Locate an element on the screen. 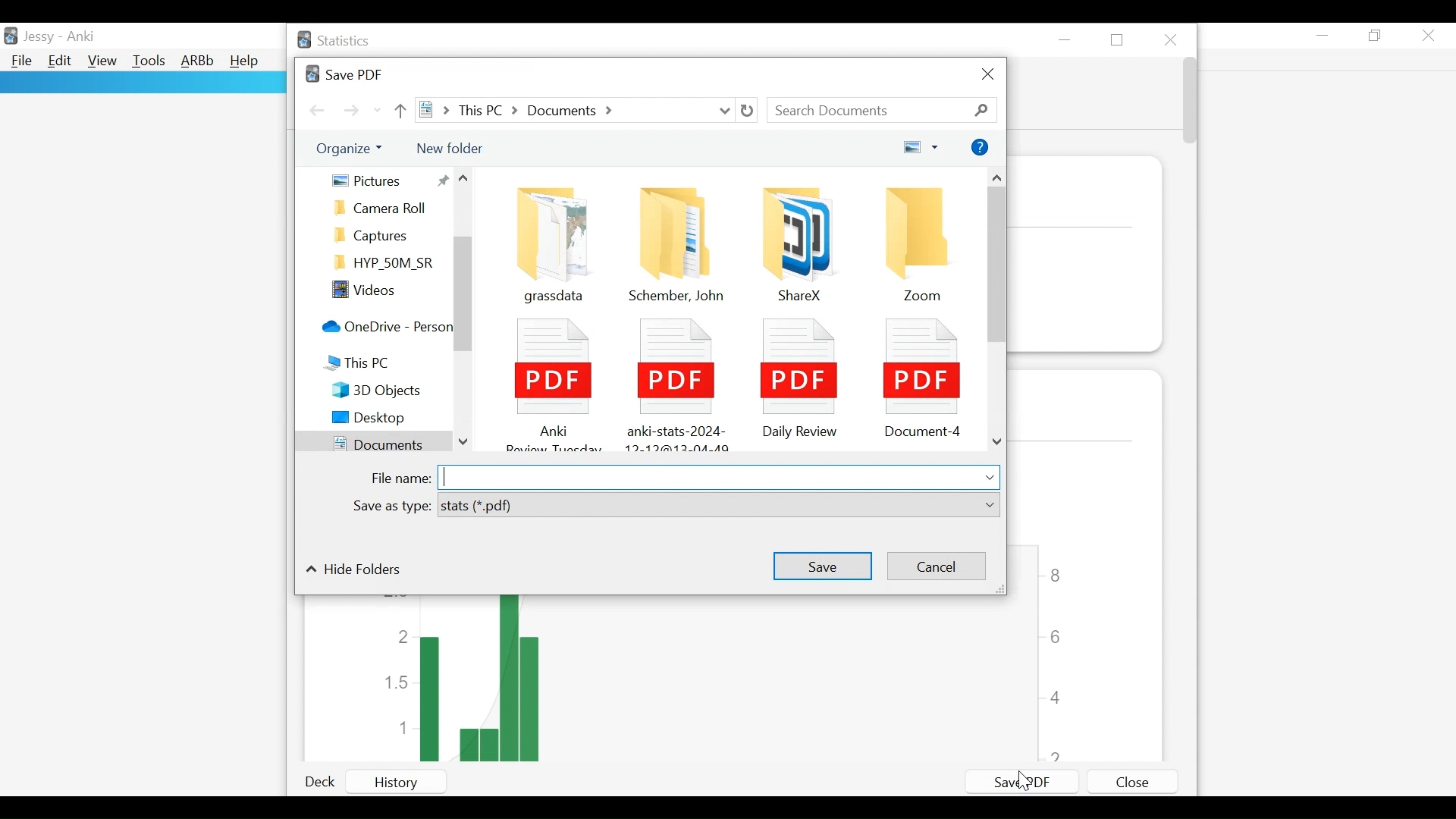  Edit is located at coordinates (61, 62).